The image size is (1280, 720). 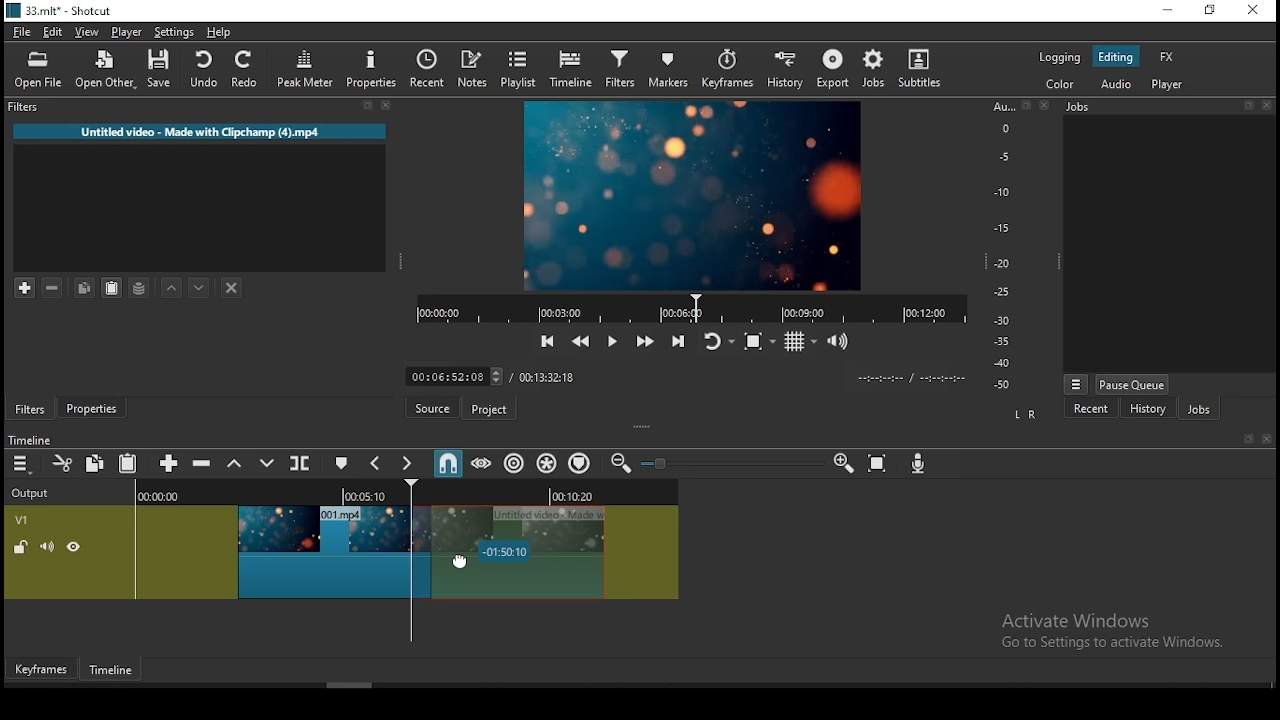 I want to click on play quickly forward, so click(x=641, y=338).